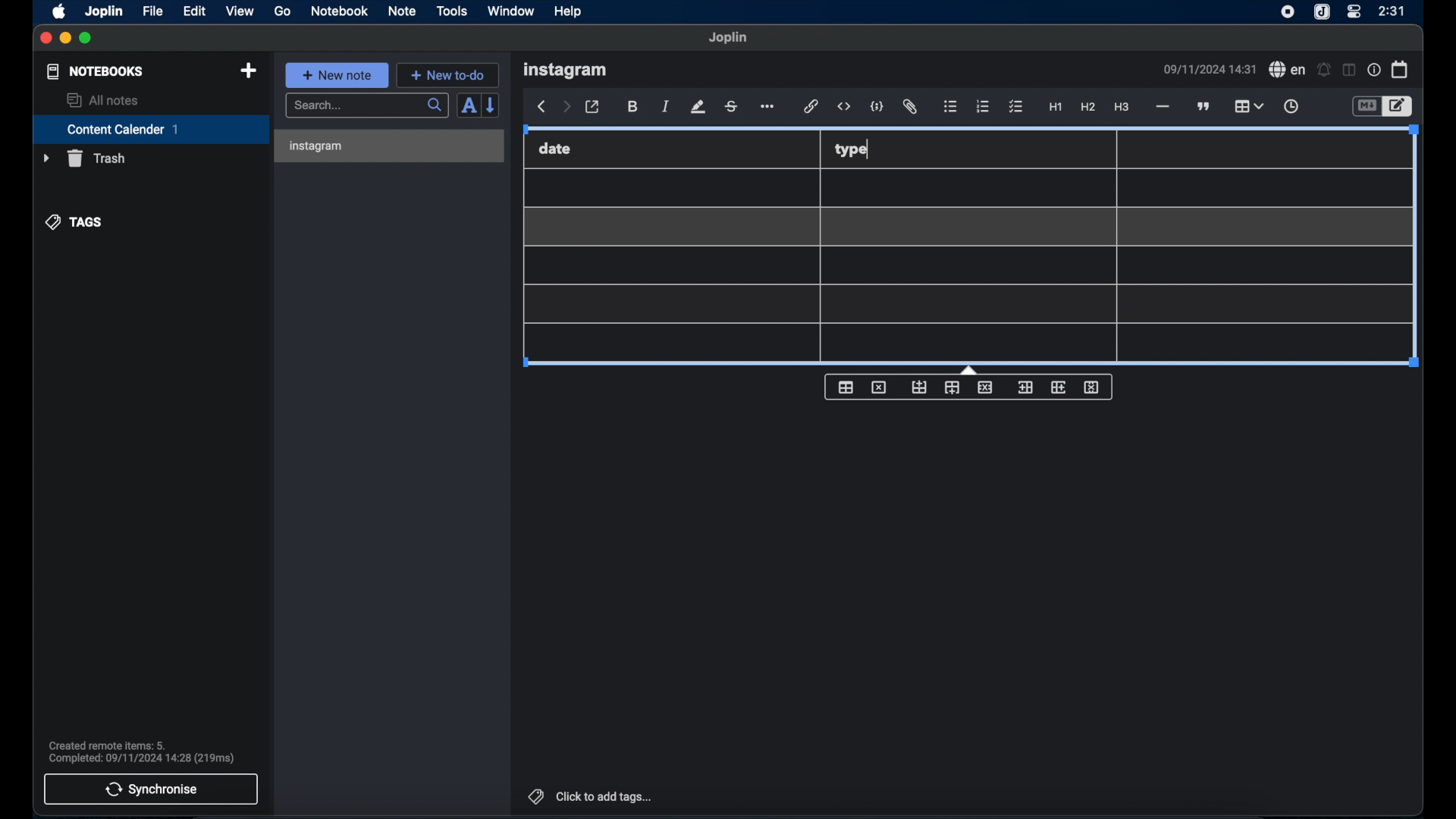 This screenshot has height=819, width=1456. I want to click on tags, so click(74, 222).